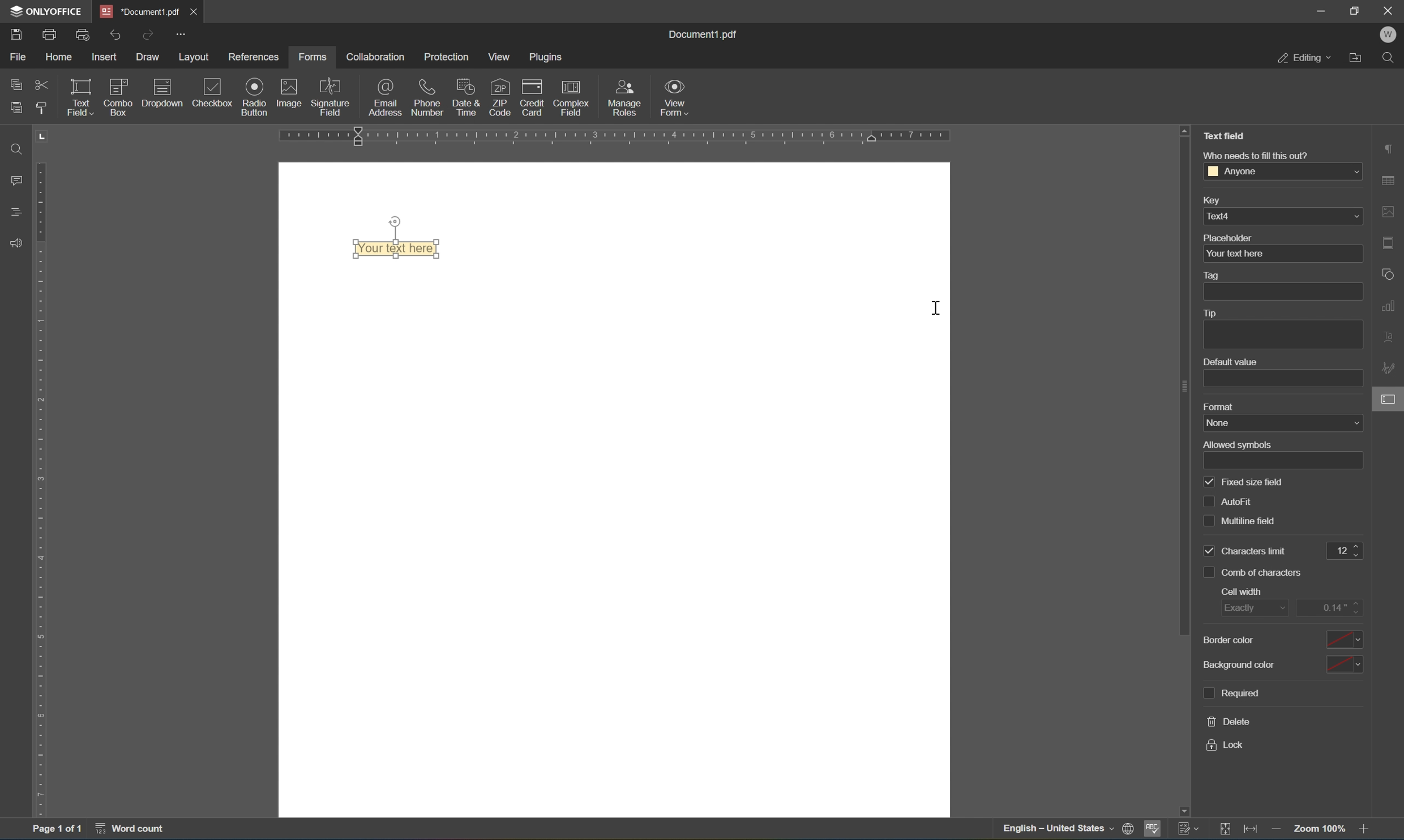 The image size is (1404, 840). Describe the element at coordinates (464, 97) in the screenshot. I see `date and time` at that location.